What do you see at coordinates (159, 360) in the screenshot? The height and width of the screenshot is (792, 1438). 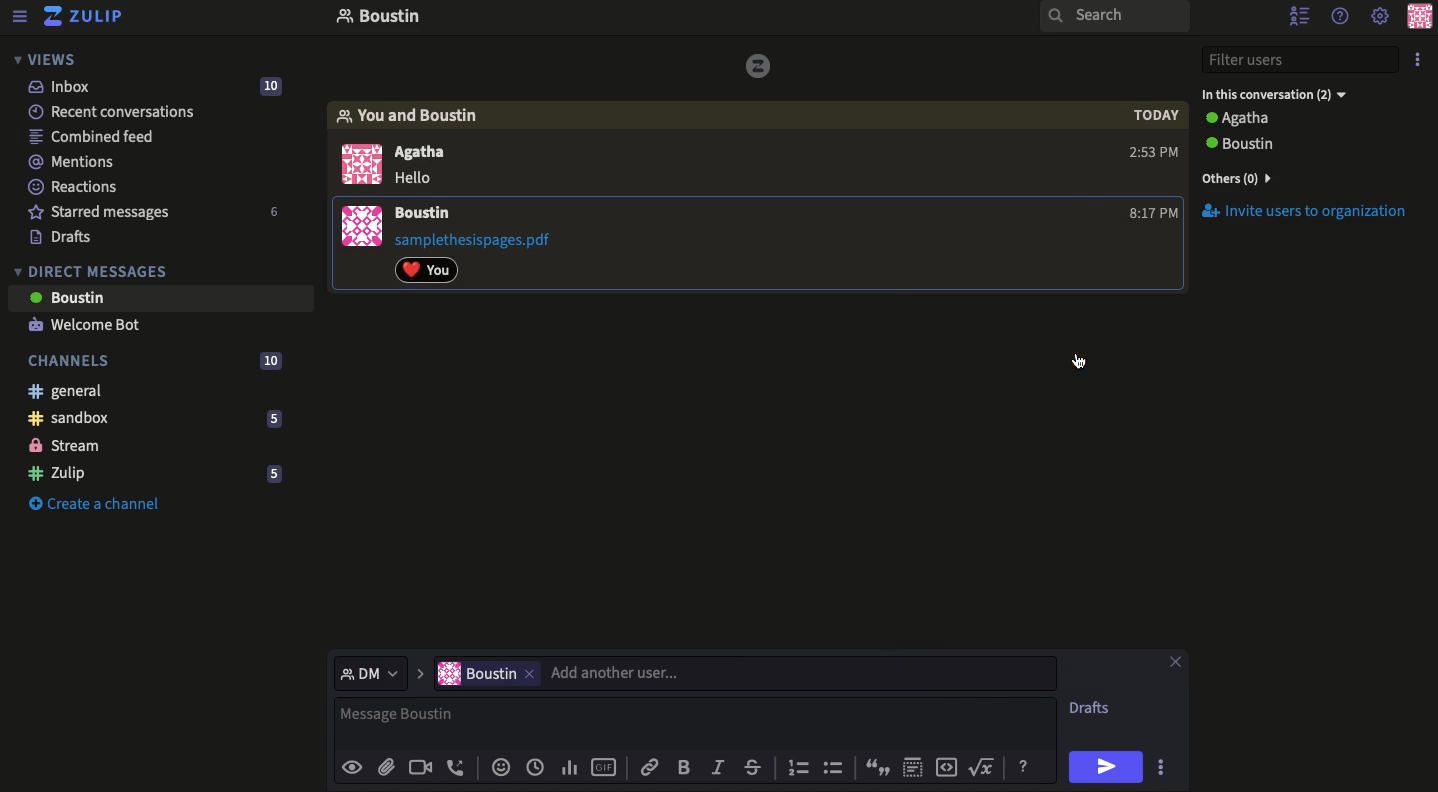 I see `Channels` at bounding box center [159, 360].